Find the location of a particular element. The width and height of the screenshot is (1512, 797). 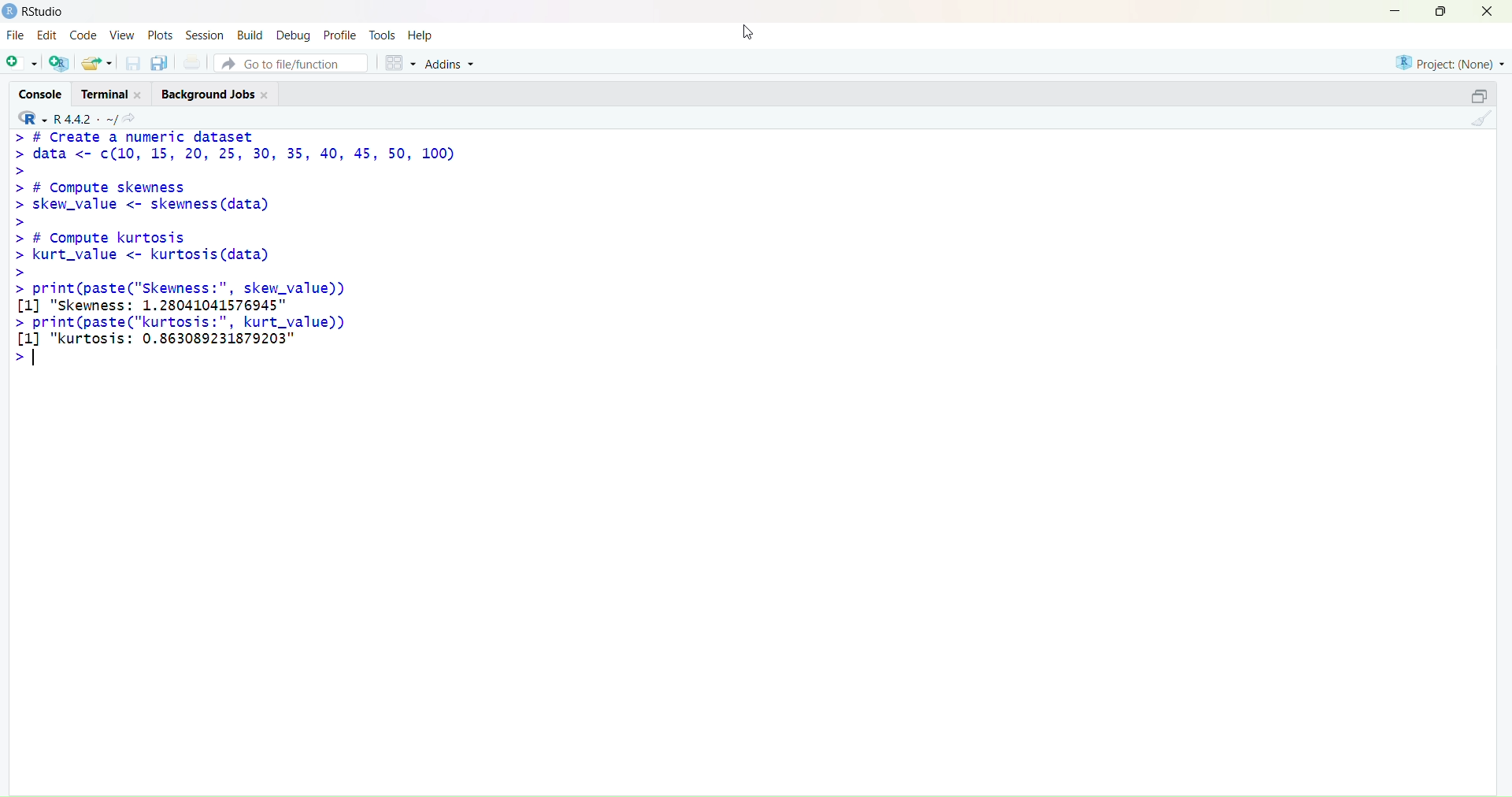

R is located at coordinates (28, 117).